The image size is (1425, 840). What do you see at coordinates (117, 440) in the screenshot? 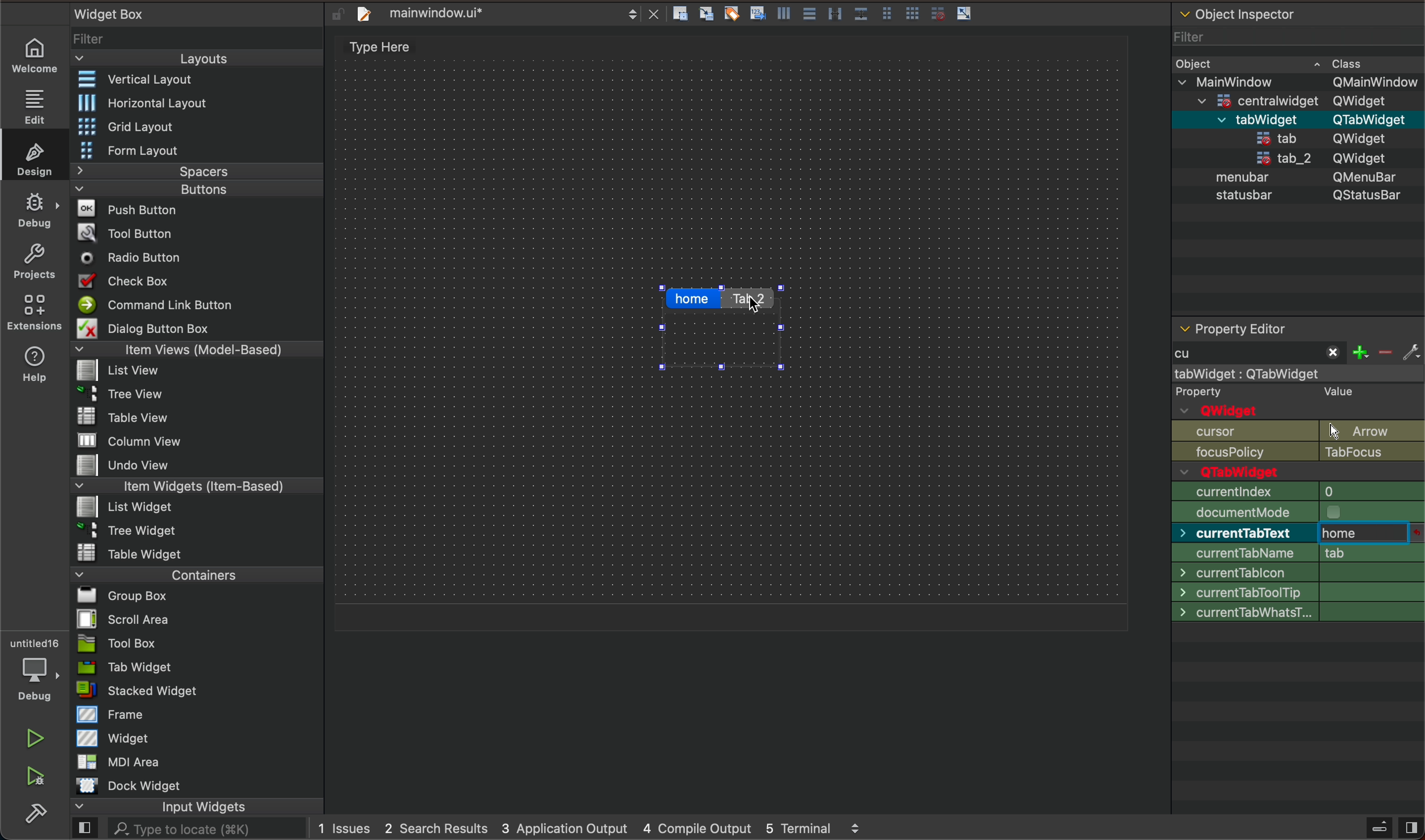
I see `MW column view` at bounding box center [117, 440].